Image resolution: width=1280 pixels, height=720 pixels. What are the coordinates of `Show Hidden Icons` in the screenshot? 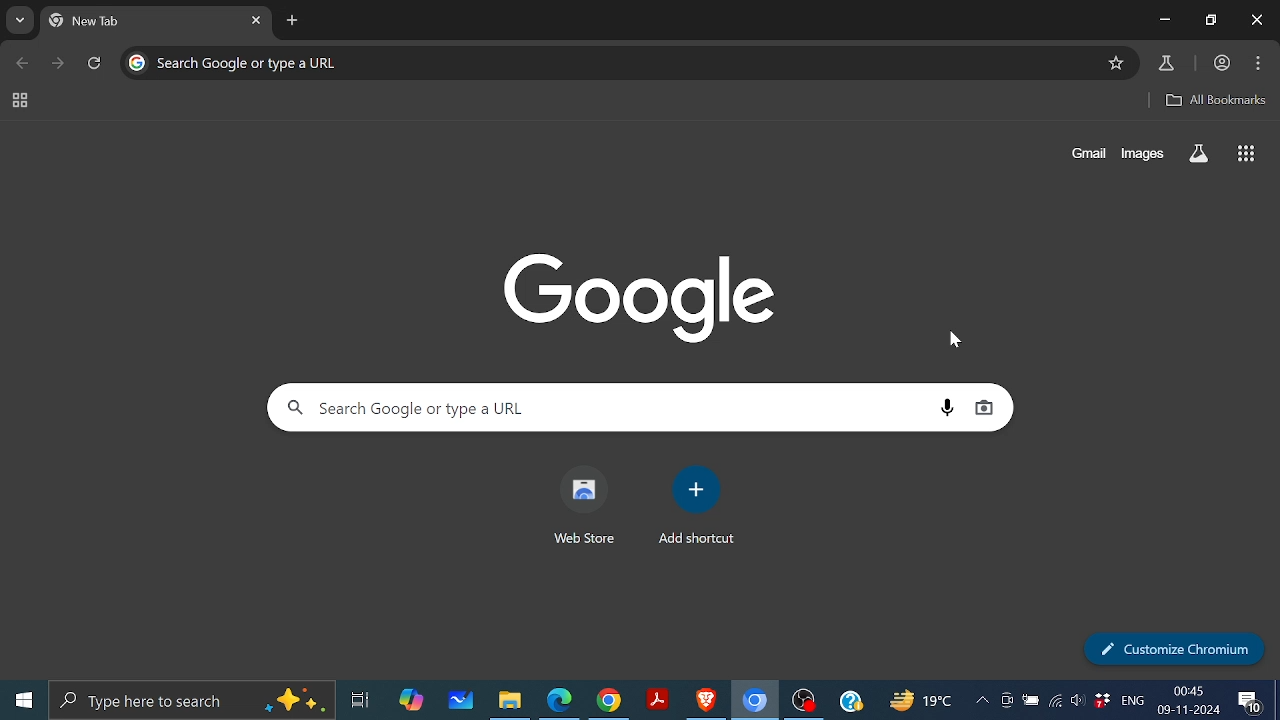 It's located at (981, 700).